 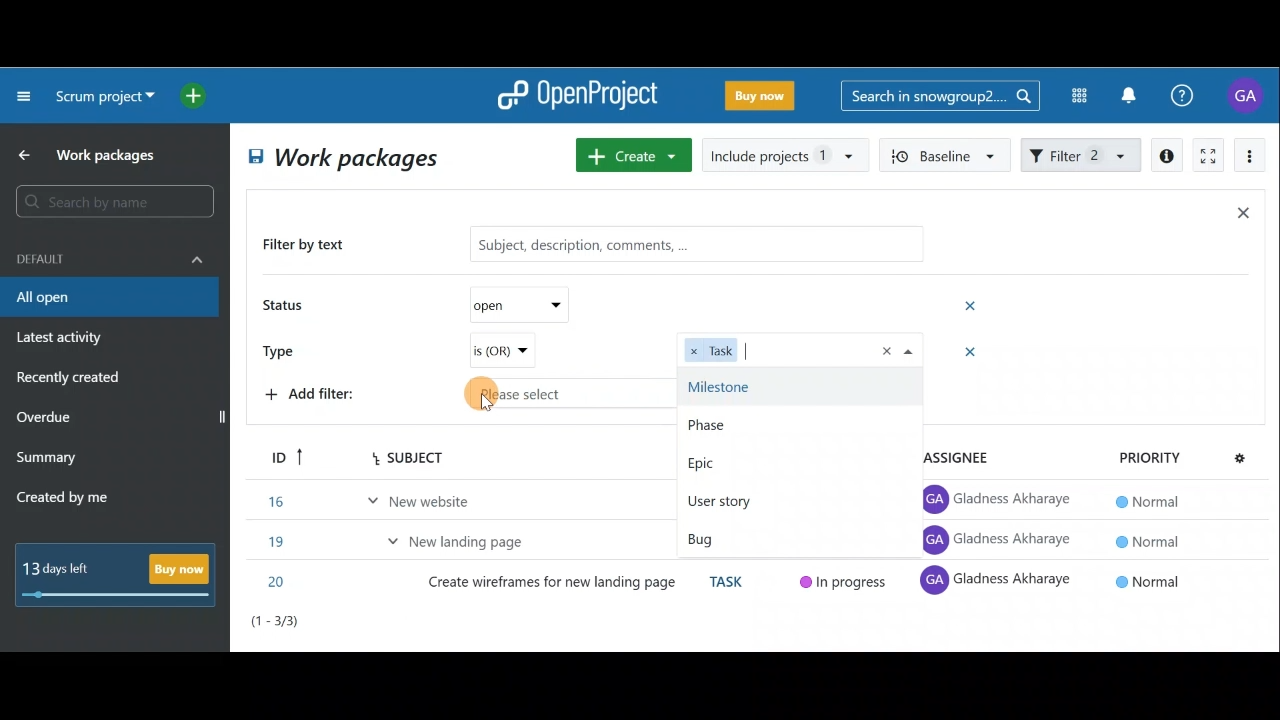 What do you see at coordinates (74, 500) in the screenshot?
I see `Created by me` at bounding box center [74, 500].